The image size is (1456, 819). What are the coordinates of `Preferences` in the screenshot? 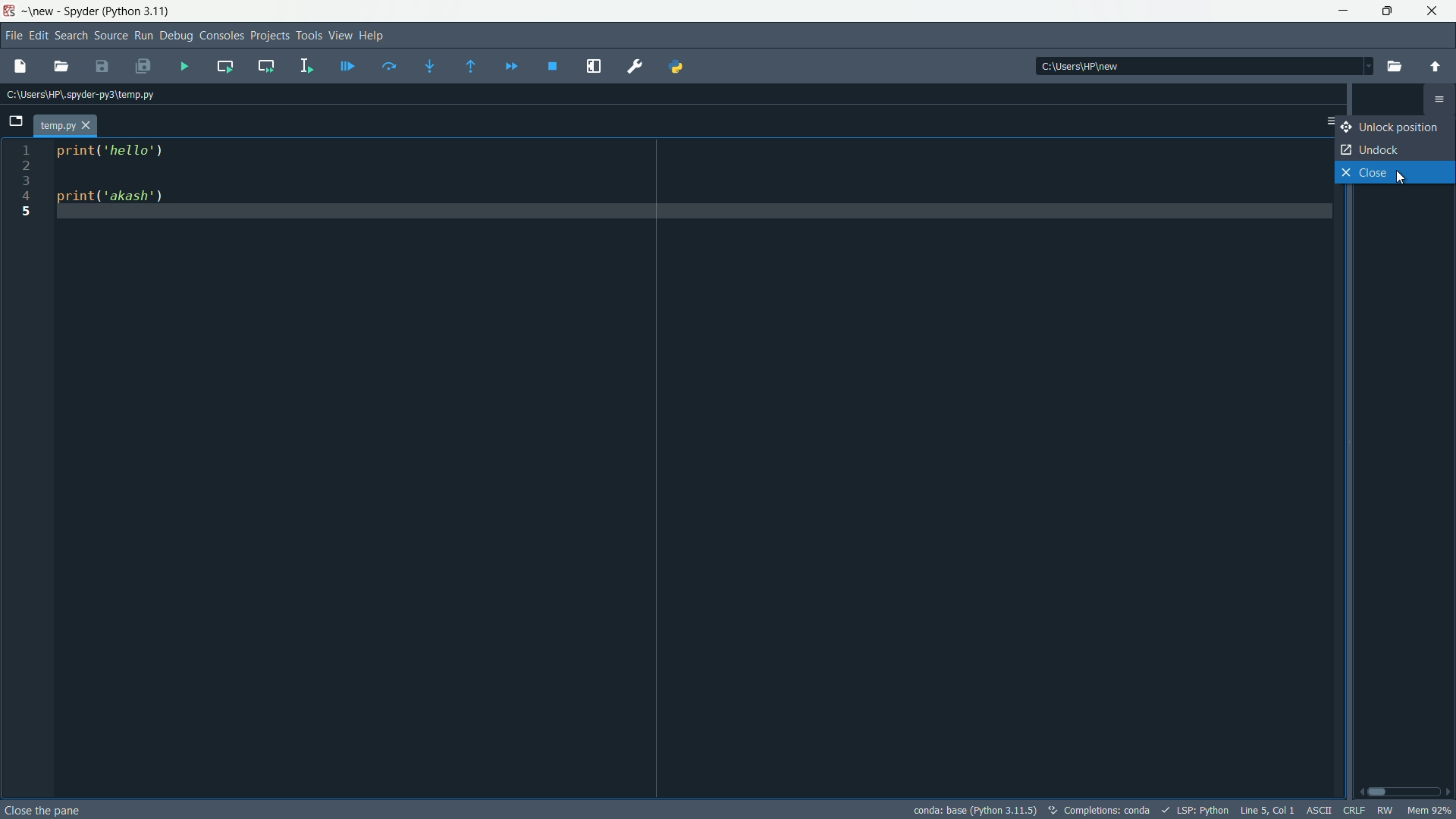 It's located at (632, 69).